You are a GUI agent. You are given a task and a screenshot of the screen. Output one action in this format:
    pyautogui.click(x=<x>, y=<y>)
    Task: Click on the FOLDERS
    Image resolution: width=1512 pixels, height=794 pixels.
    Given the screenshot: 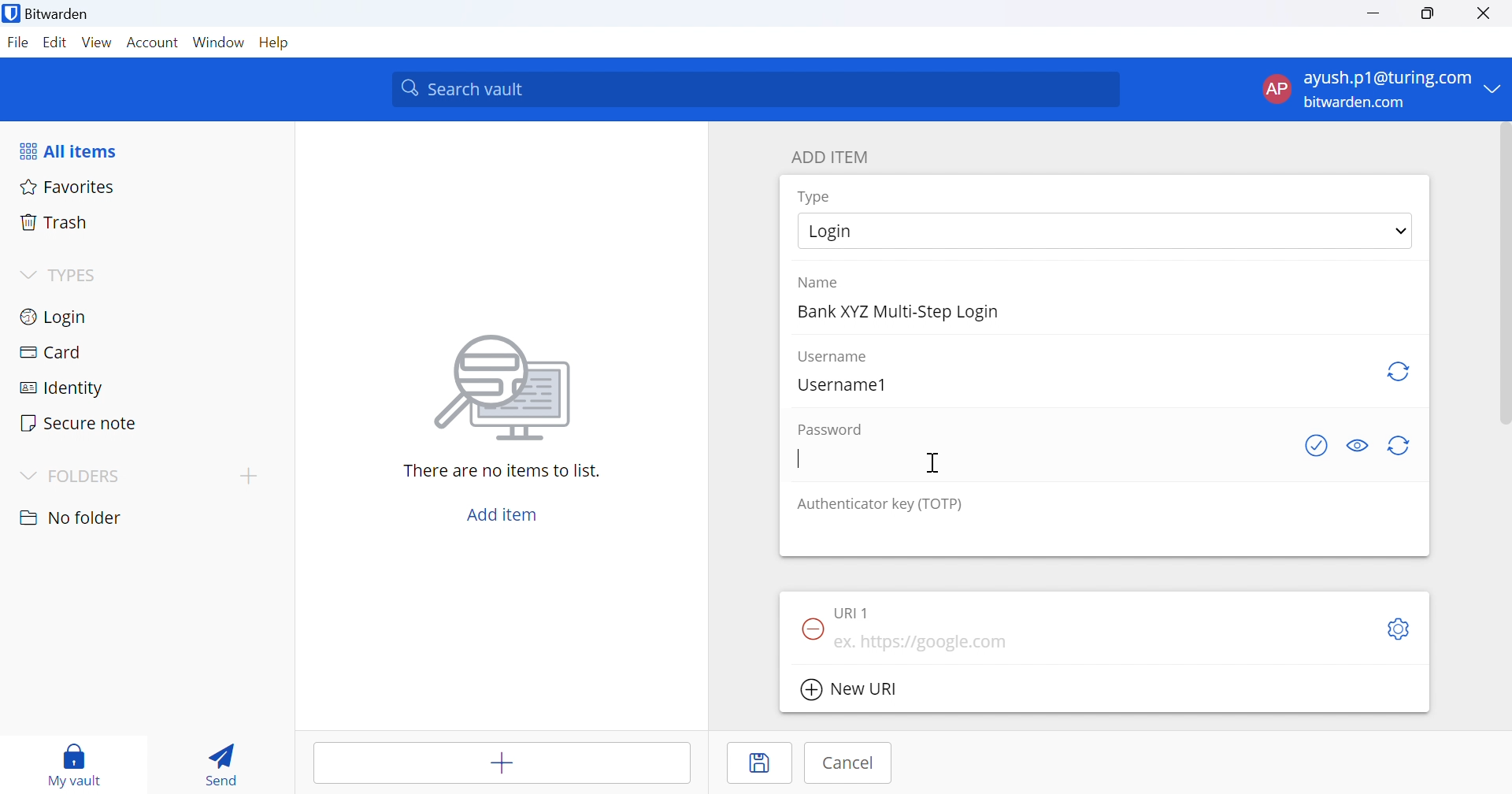 What is the action you would take?
    pyautogui.click(x=92, y=477)
    